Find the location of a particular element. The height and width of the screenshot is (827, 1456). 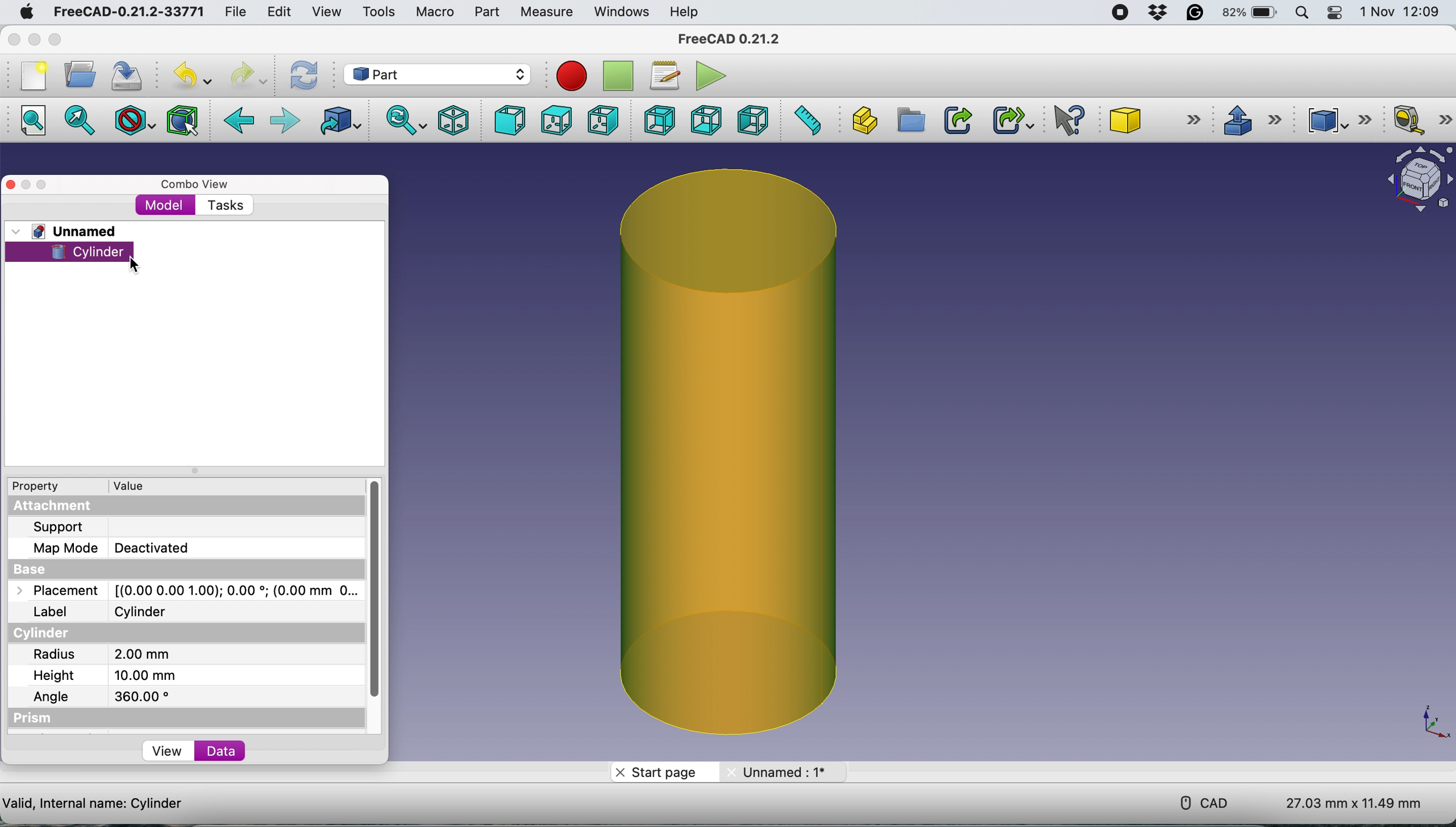

workbench is located at coordinates (440, 74).